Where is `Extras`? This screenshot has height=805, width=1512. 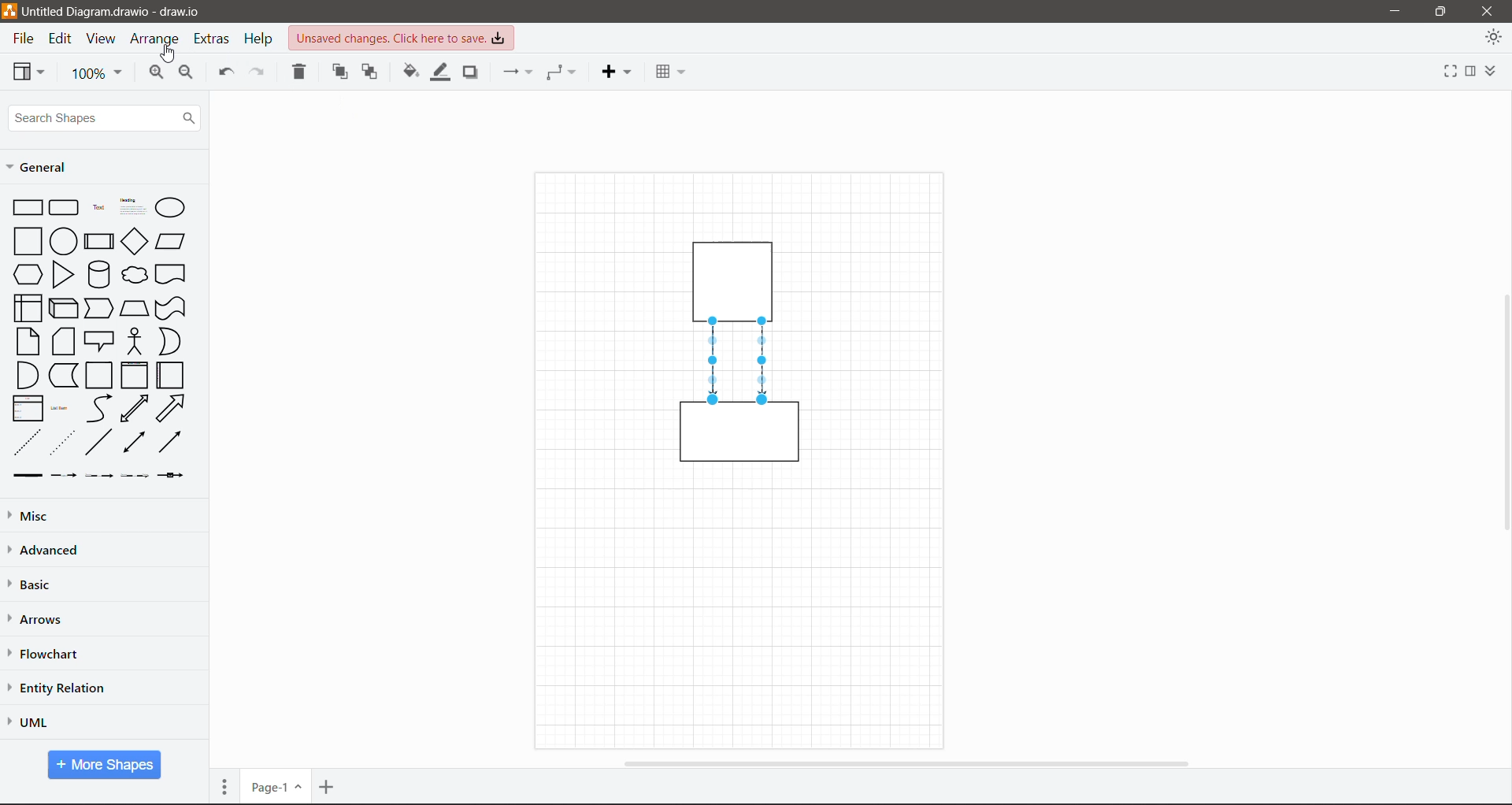
Extras is located at coordinates (213, 39).